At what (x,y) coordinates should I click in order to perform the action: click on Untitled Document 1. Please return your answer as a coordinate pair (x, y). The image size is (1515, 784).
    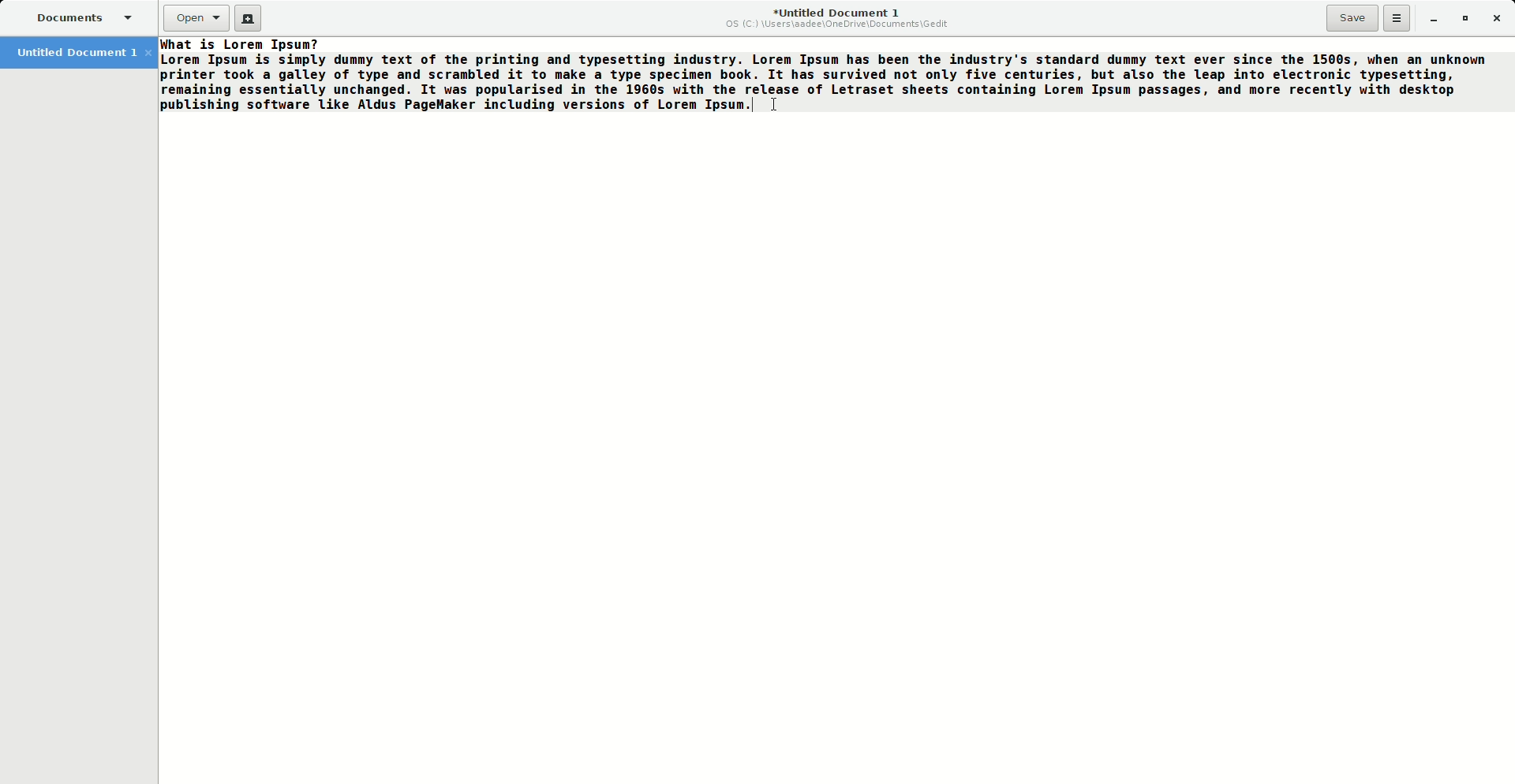
    Looking at the image, I should click on (838, 18).